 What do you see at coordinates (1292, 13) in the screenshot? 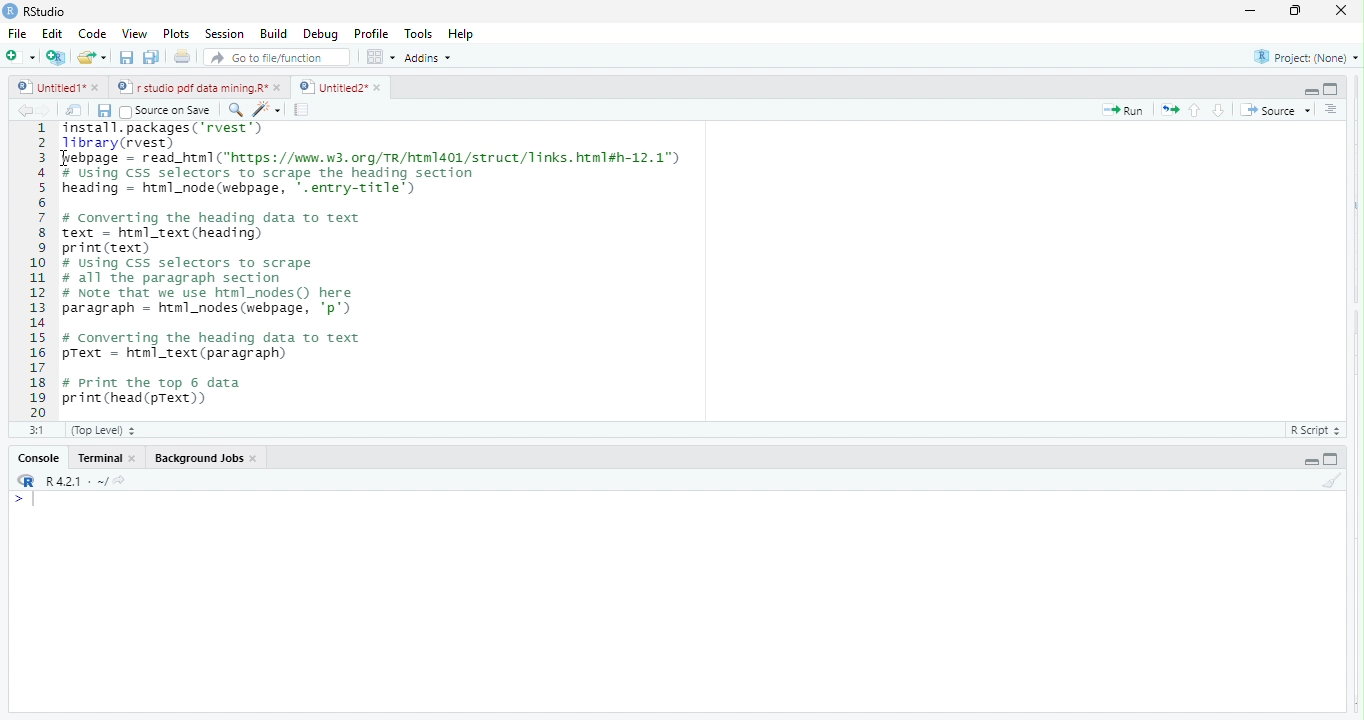
I see `minimize` at bounding box center [1292, 13].